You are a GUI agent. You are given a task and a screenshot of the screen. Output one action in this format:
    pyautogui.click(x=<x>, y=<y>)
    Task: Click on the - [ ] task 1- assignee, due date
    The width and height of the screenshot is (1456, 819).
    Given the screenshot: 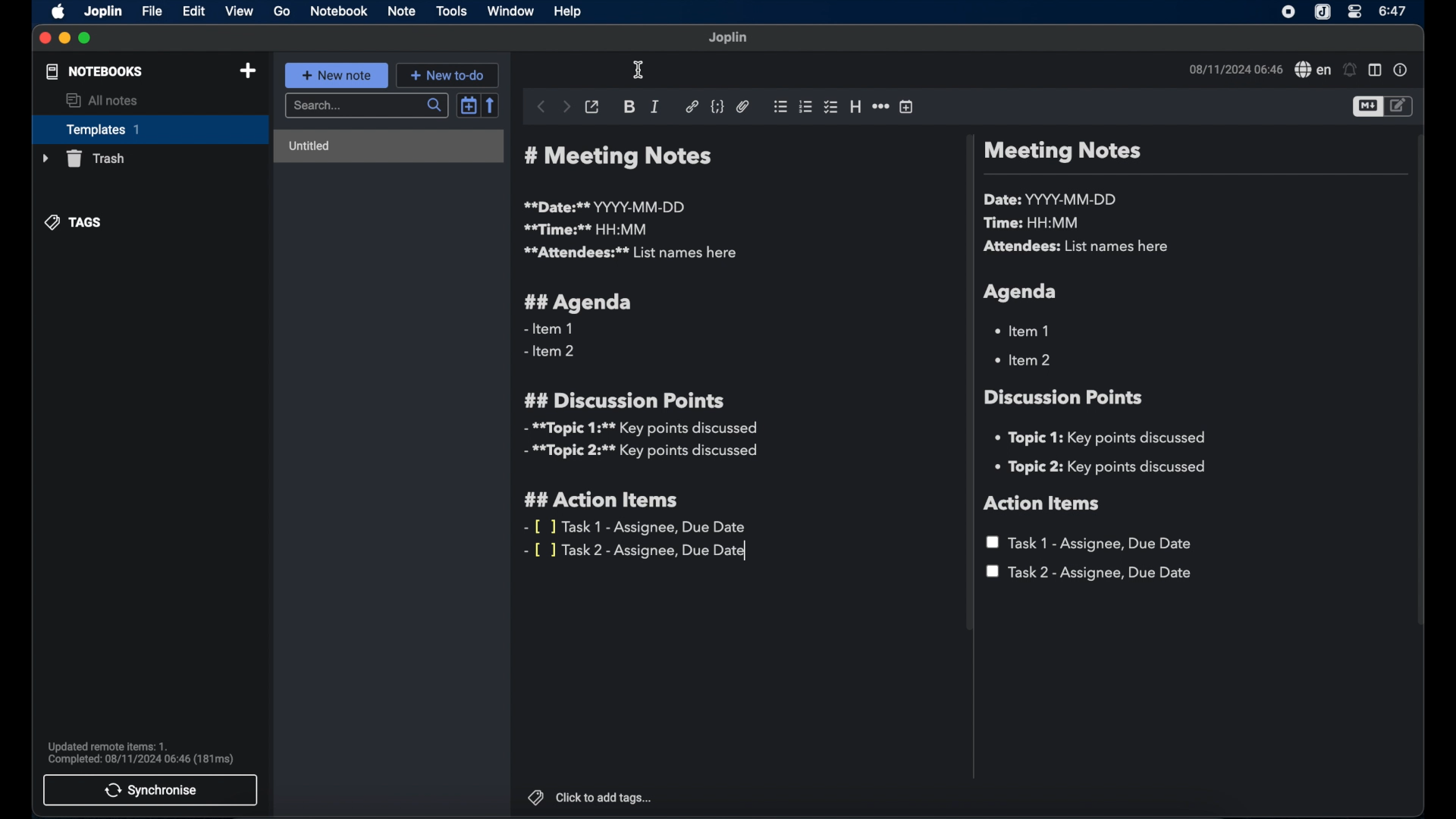 What is the action you would take?
    pyautogui.click(x=636, y=527)
    